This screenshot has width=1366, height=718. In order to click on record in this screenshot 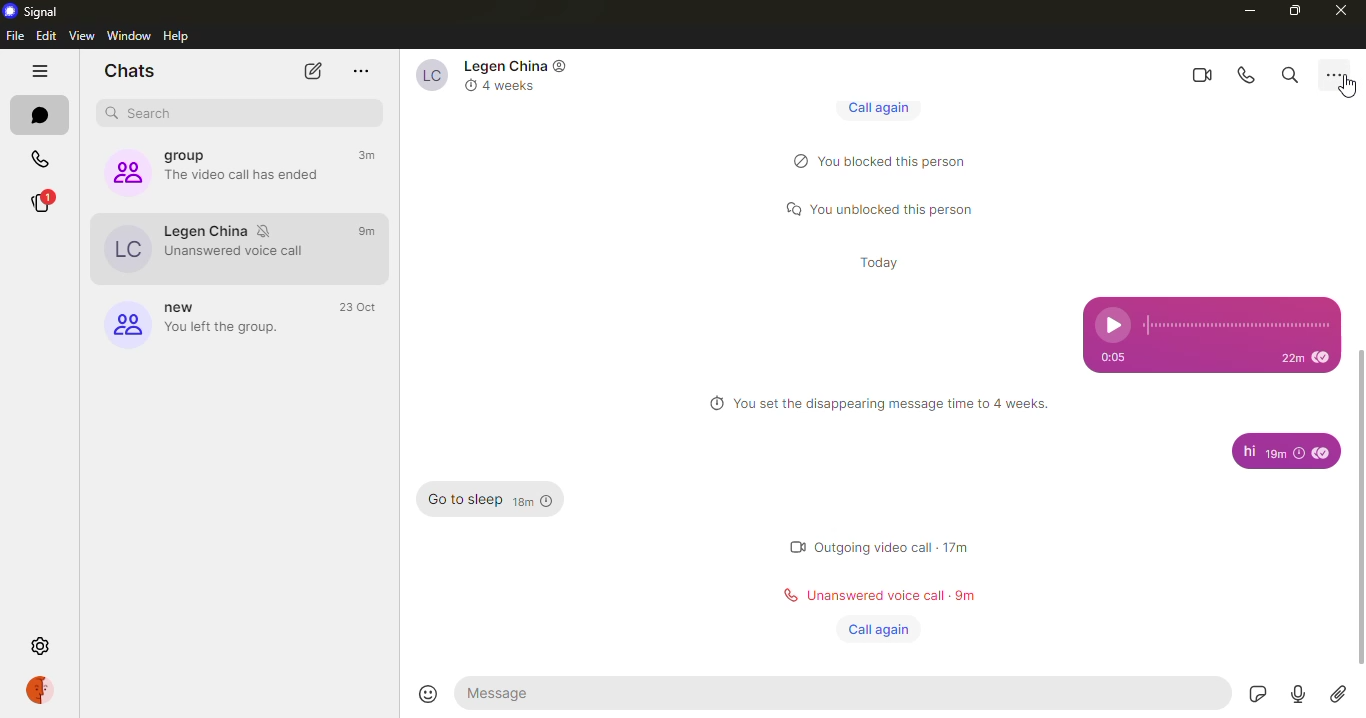, I will do `click(1295, 695)`.